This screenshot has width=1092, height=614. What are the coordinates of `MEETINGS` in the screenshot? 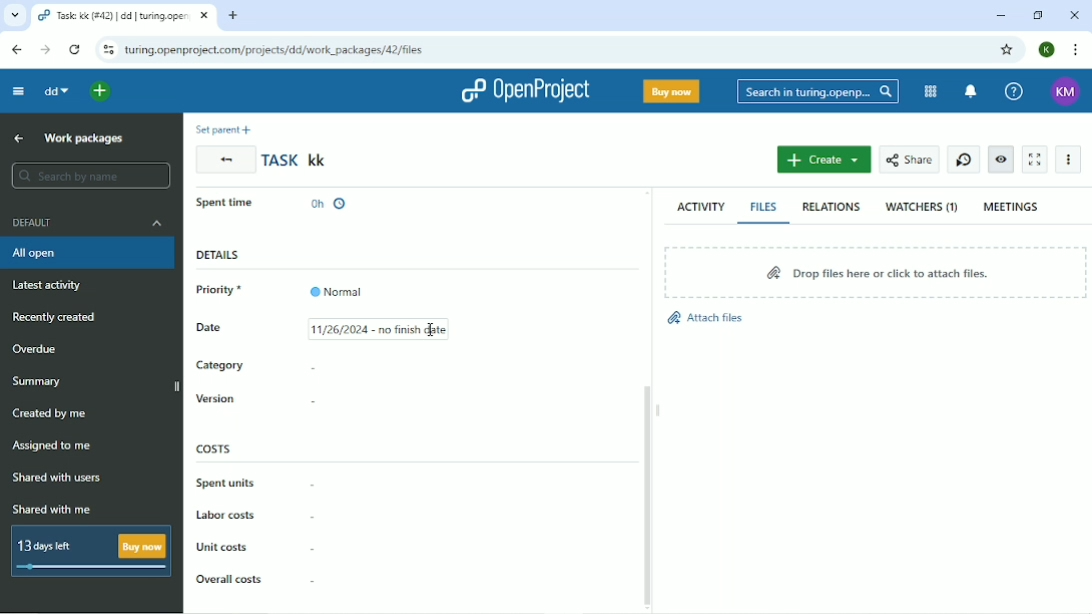 It's located at (1012, 207).